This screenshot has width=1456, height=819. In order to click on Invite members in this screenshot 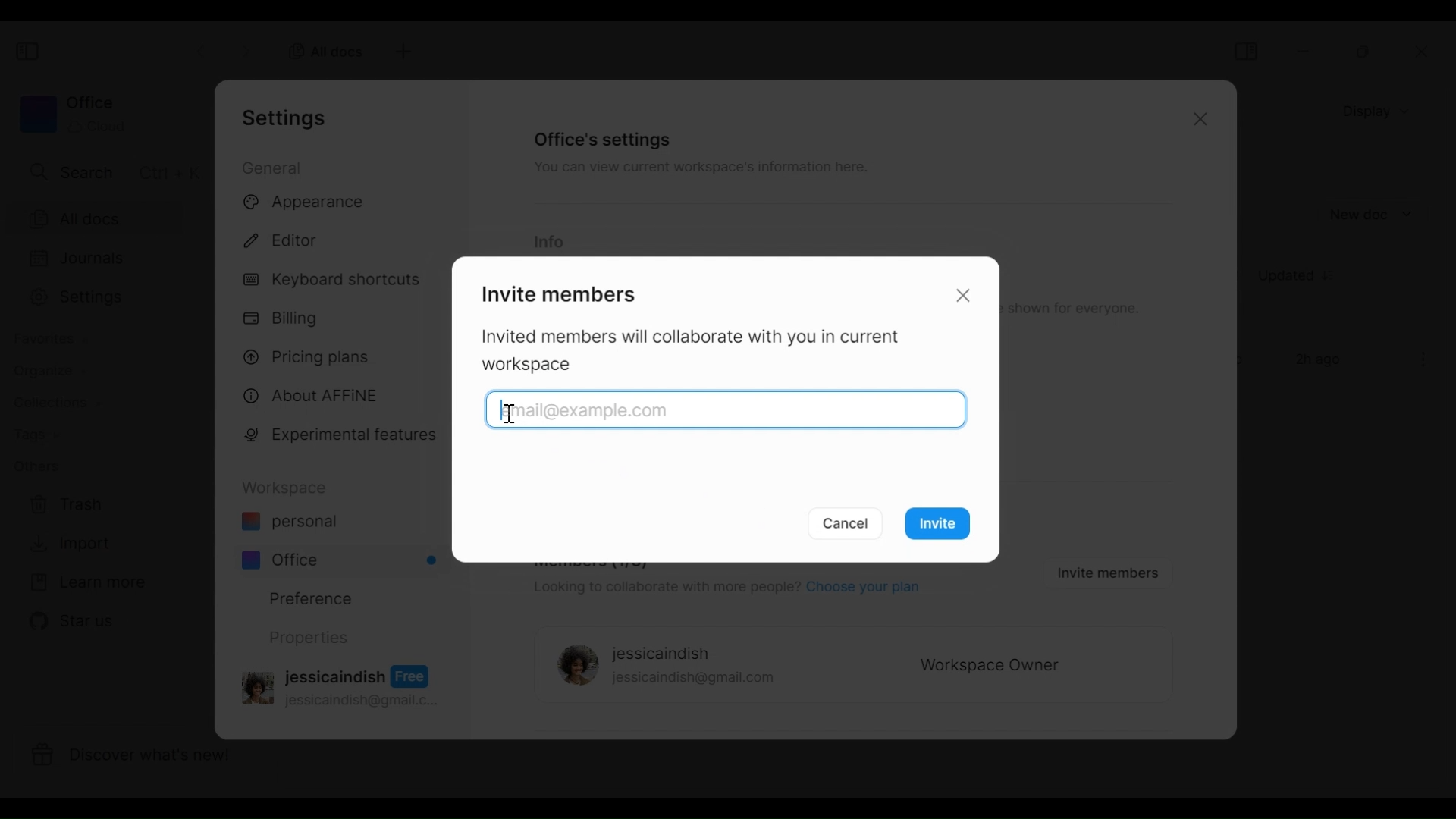, I will do `click(1104, 572)`.